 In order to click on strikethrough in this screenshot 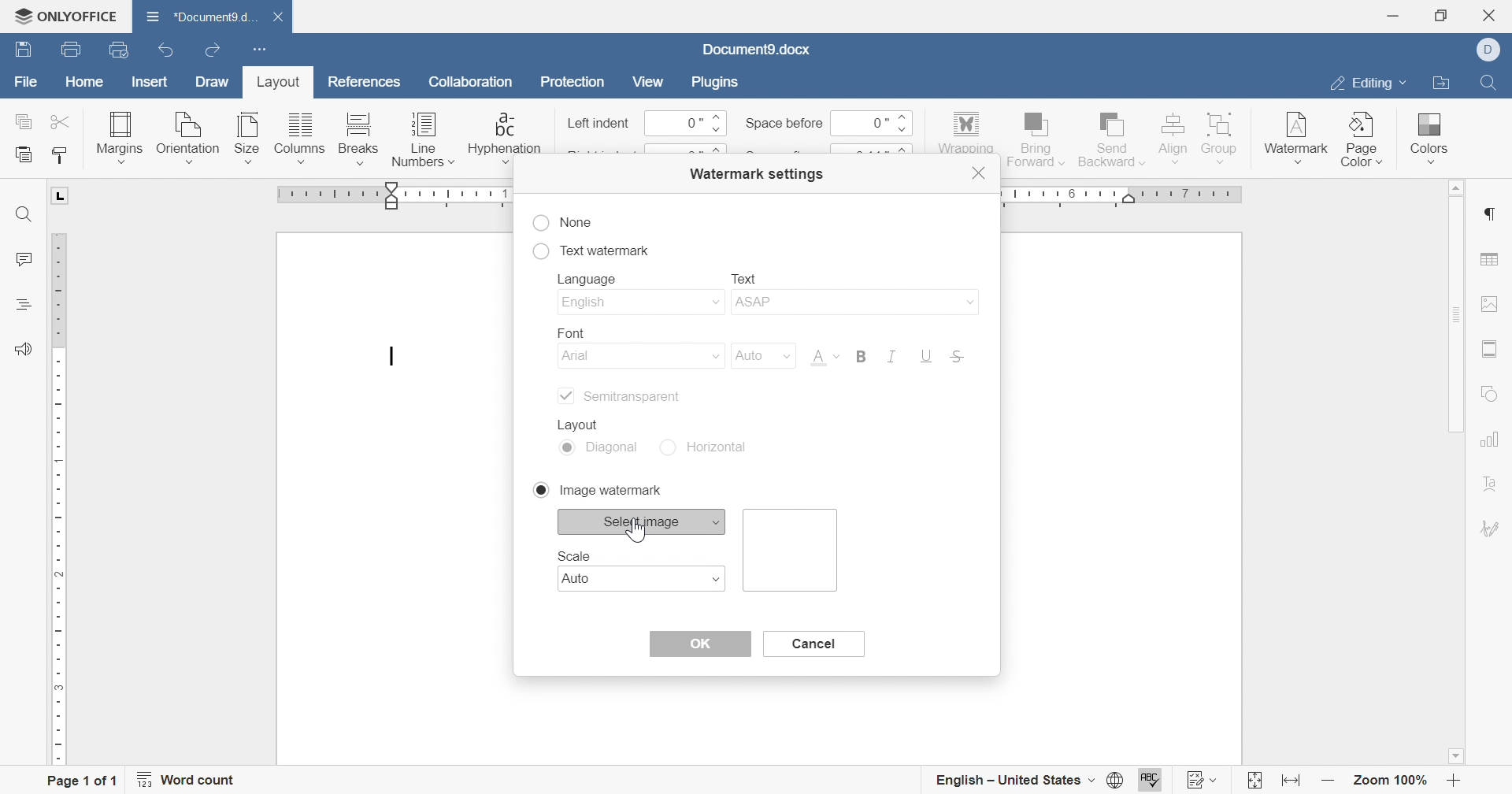, I will do `click(958, 358)`.